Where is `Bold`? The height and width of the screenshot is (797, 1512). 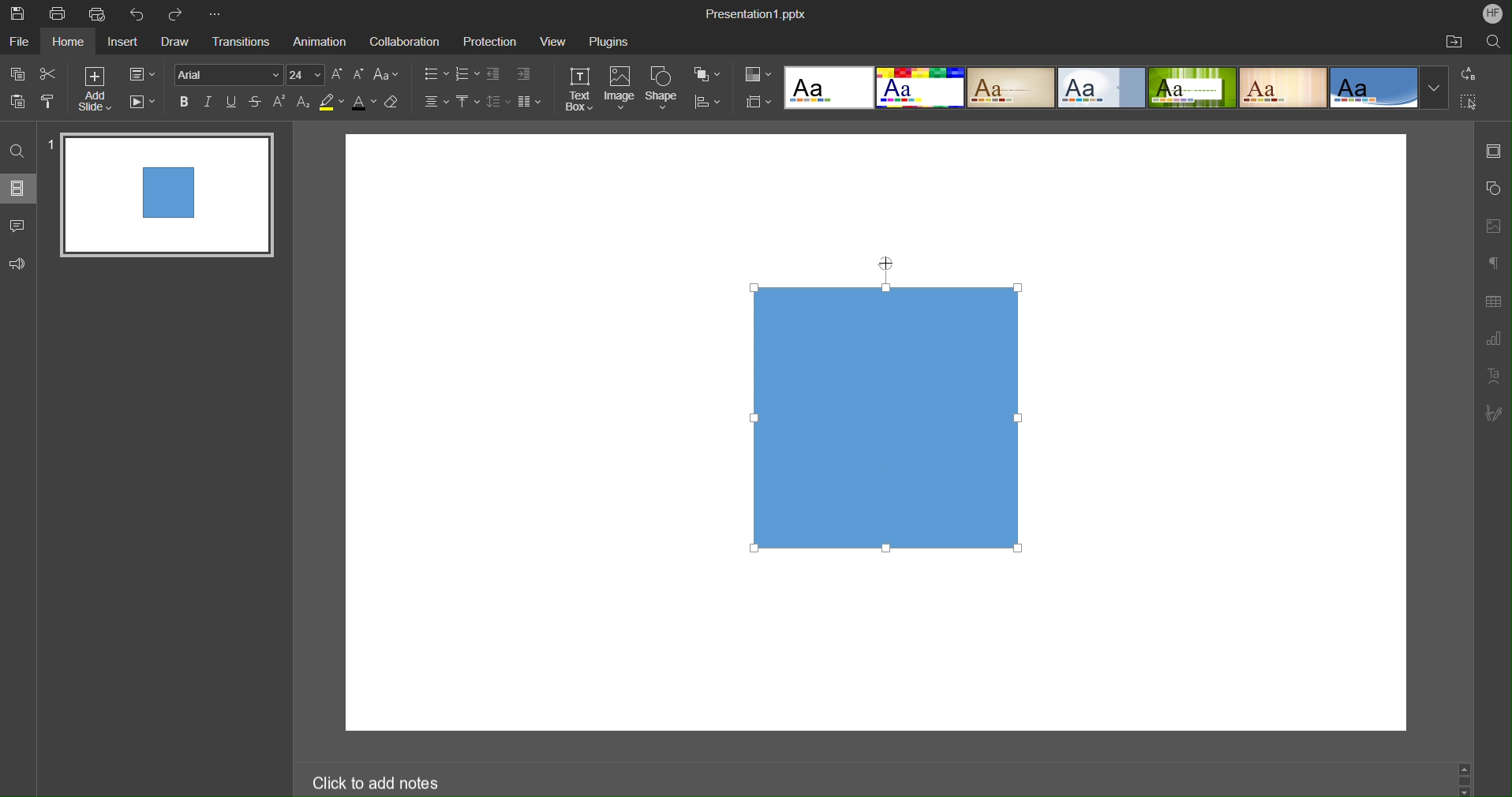
Bold is located at coordinates (187, 102).